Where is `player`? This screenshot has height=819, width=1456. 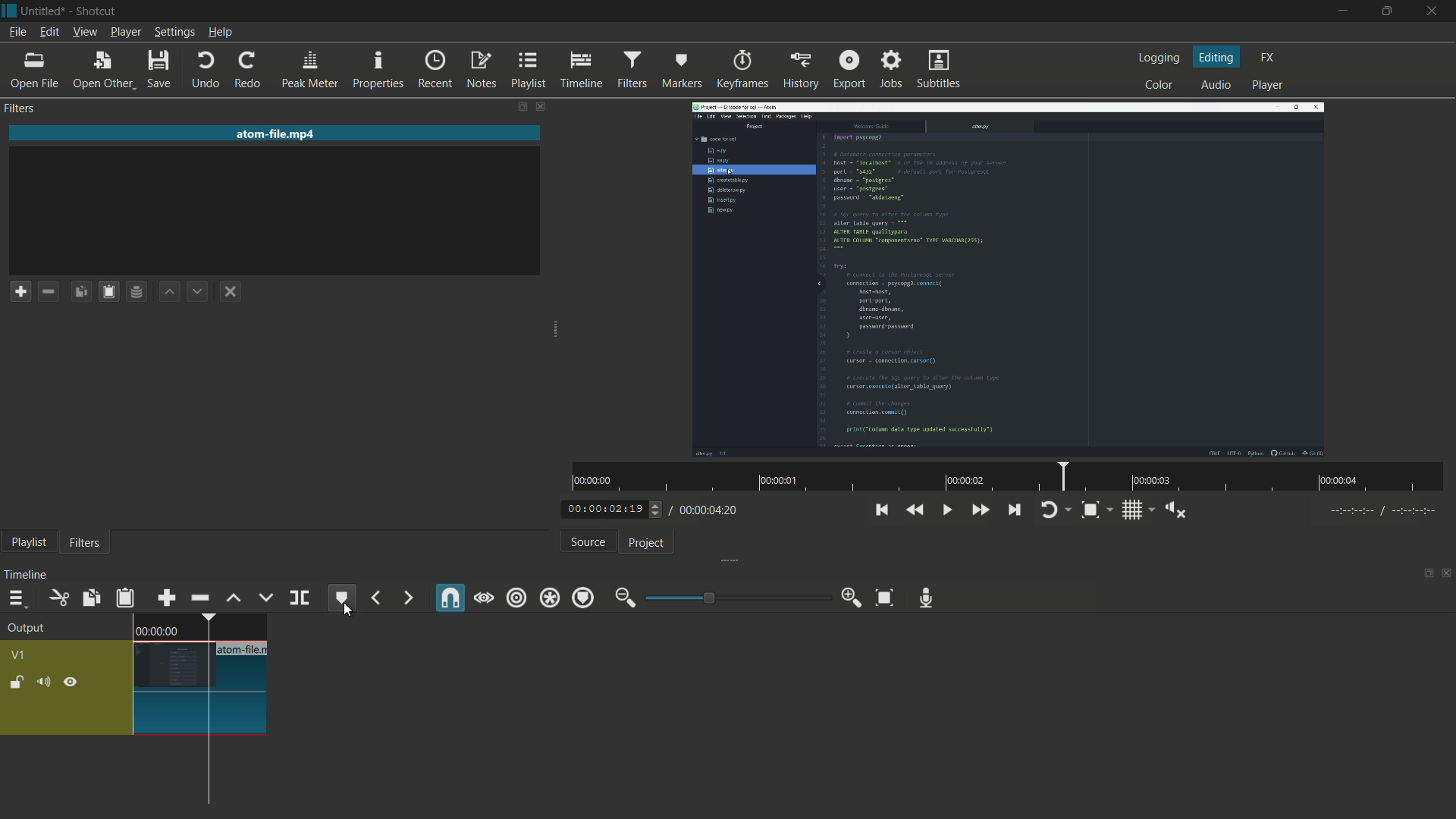
player is located at coordinates (1271, 85).